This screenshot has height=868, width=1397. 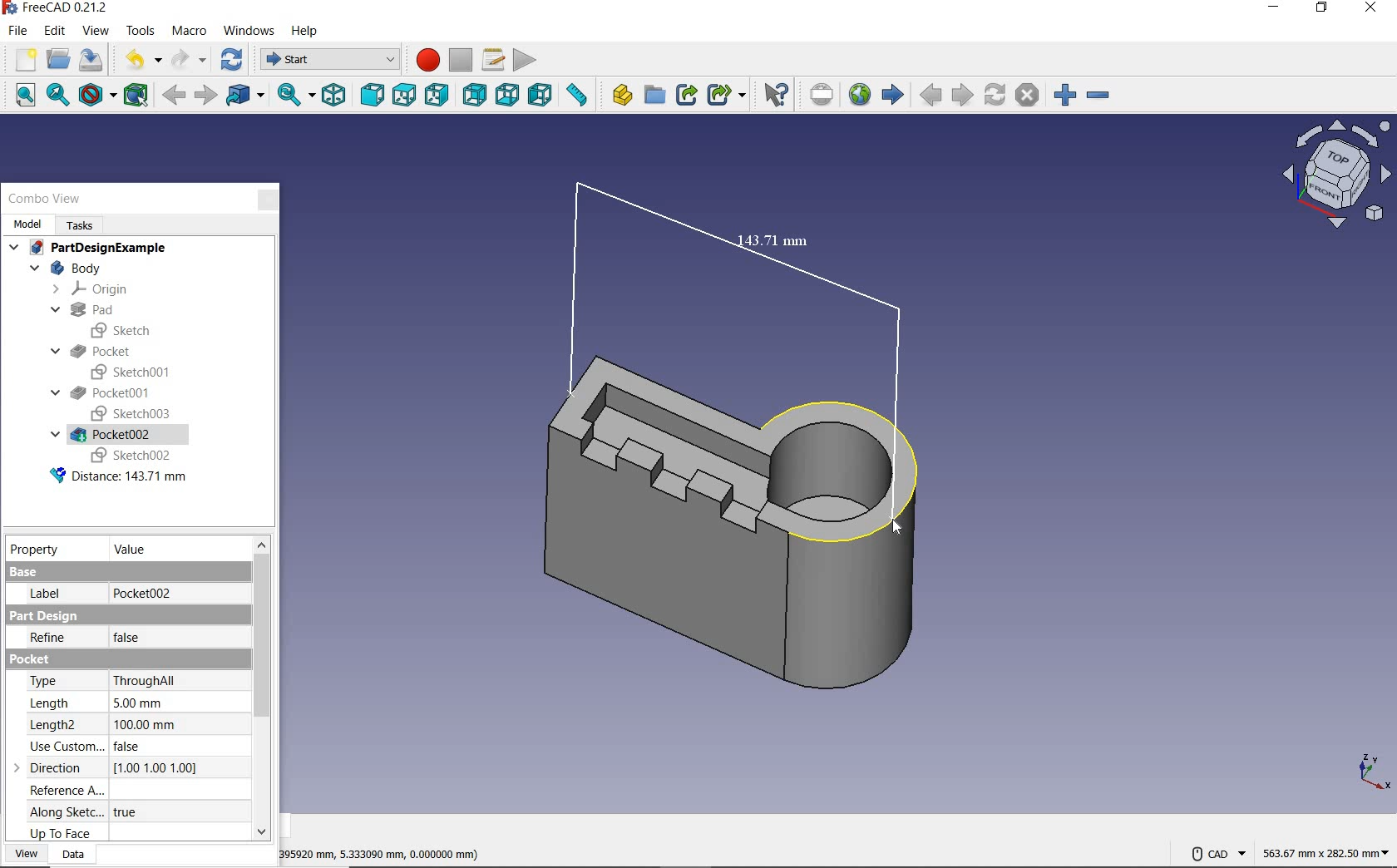 I want to click on bounding box, so click(x=136, y=95).